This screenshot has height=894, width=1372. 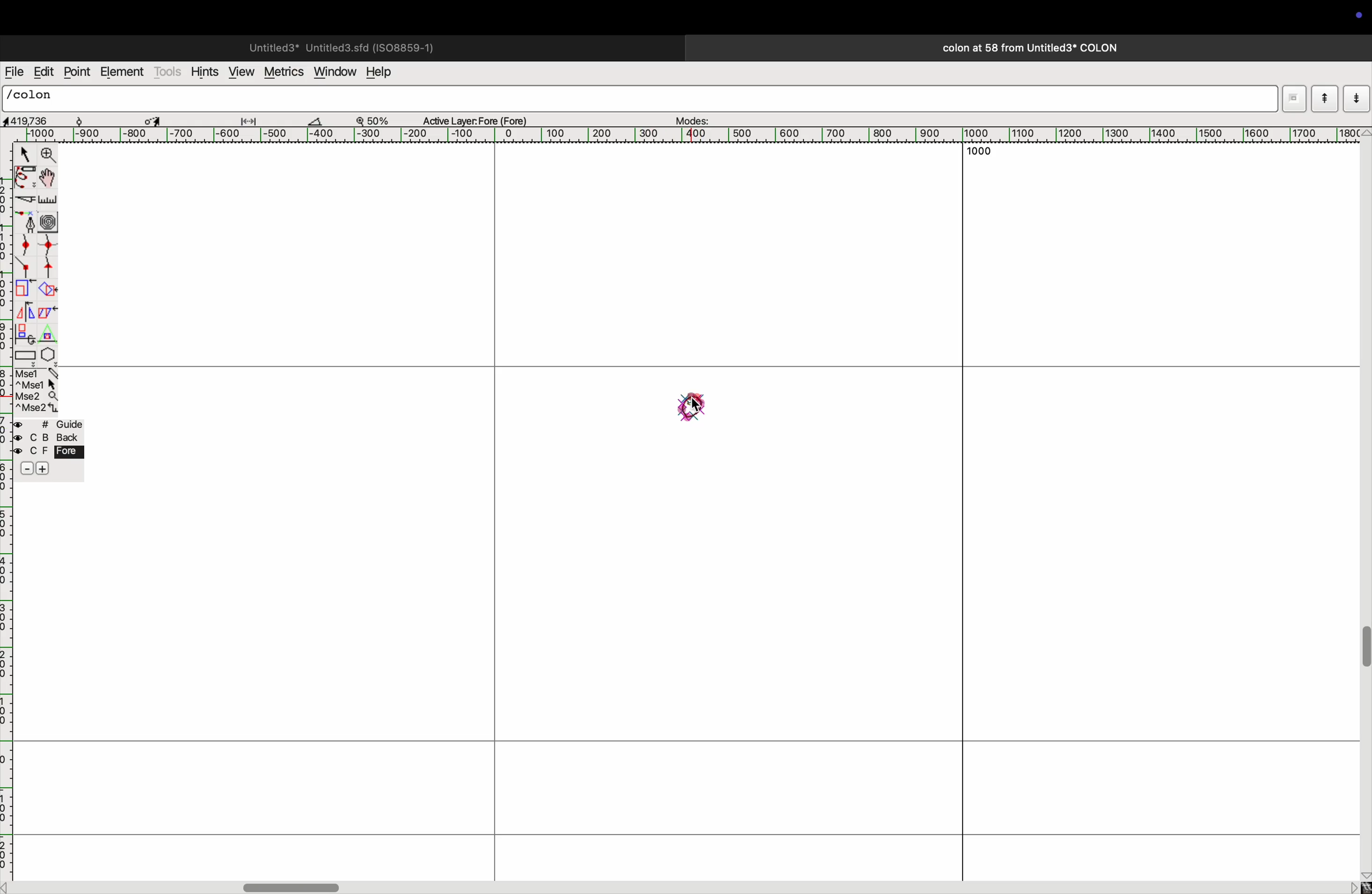 I want to click on pen, so click(x=25, y=179).